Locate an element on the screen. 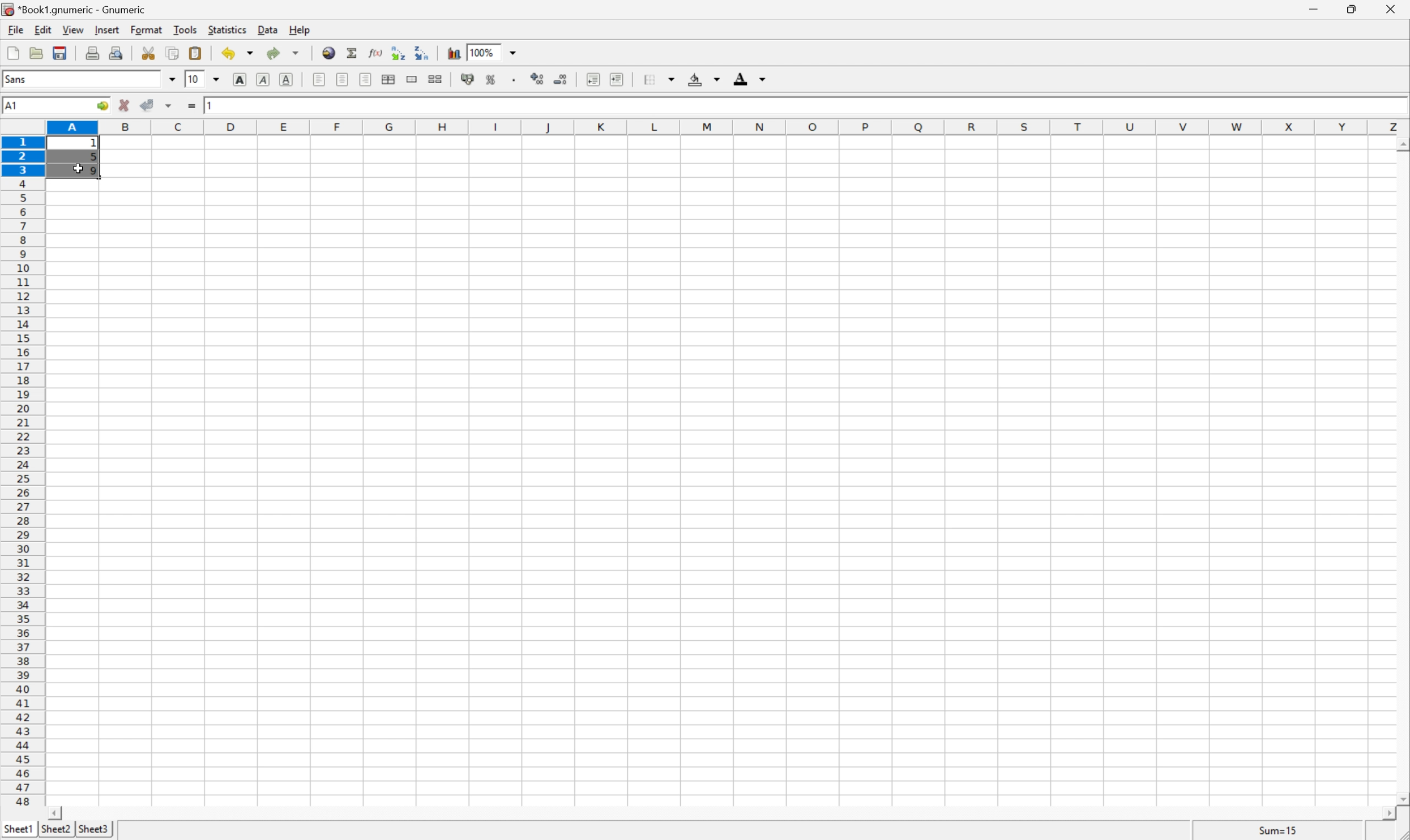 This screenshot has height=840, width=1410. format selection as accounting is located at coordinates (468, 79).